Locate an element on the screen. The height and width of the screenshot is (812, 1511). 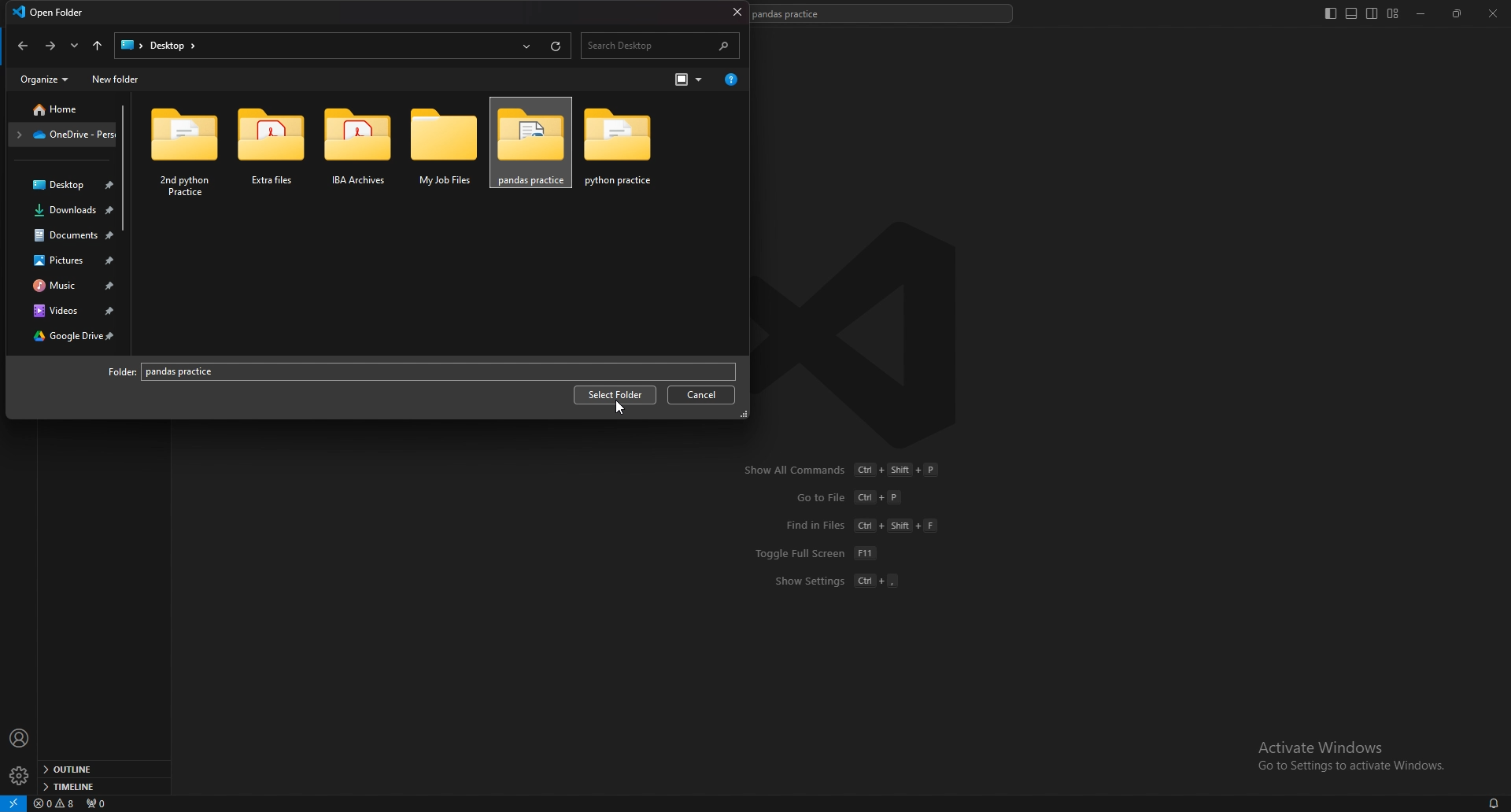
desktop is located at coordinates (157, 43).